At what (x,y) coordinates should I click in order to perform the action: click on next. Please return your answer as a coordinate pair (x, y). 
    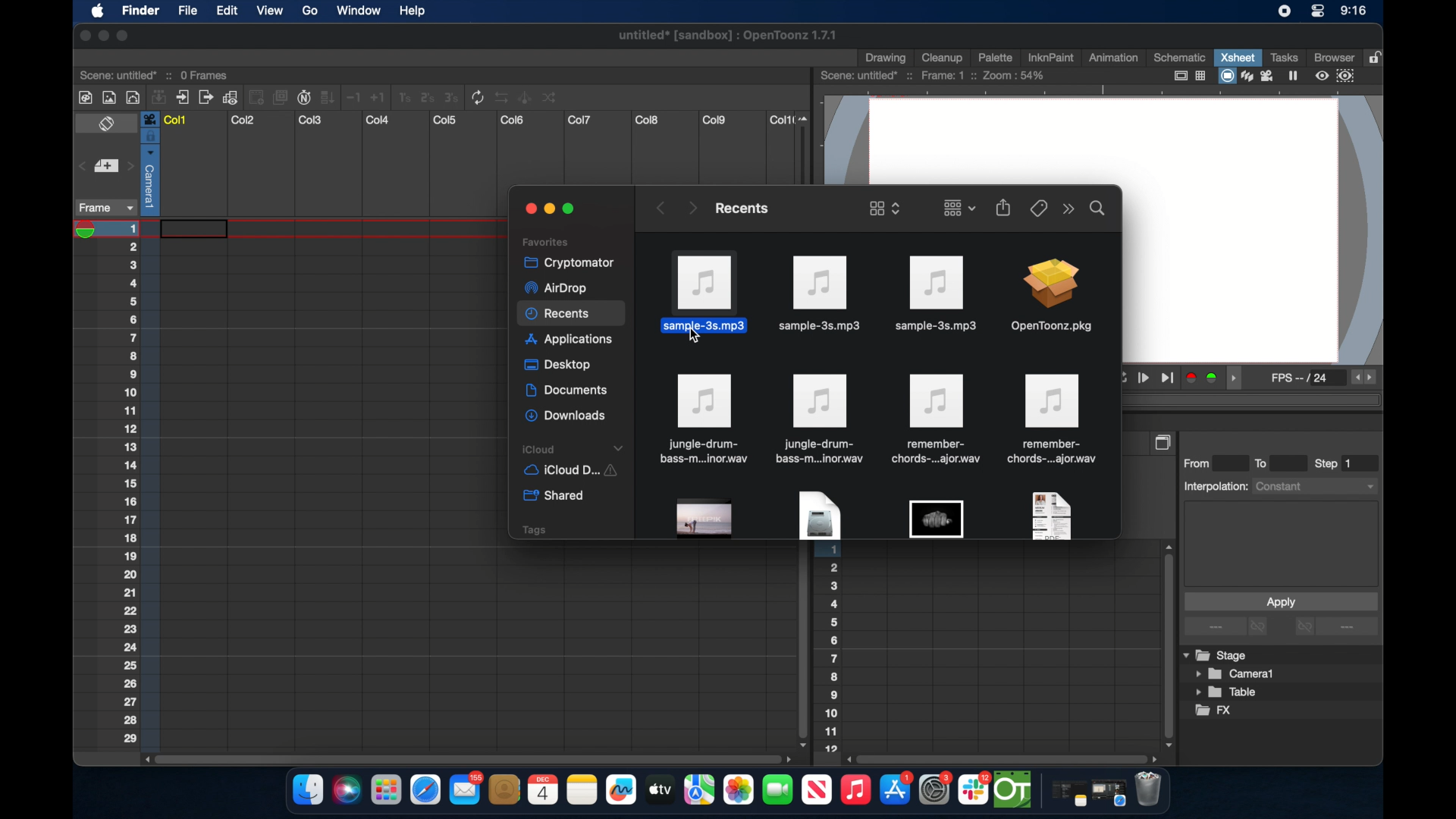
    Looking at the image, I should click on (692, 207).